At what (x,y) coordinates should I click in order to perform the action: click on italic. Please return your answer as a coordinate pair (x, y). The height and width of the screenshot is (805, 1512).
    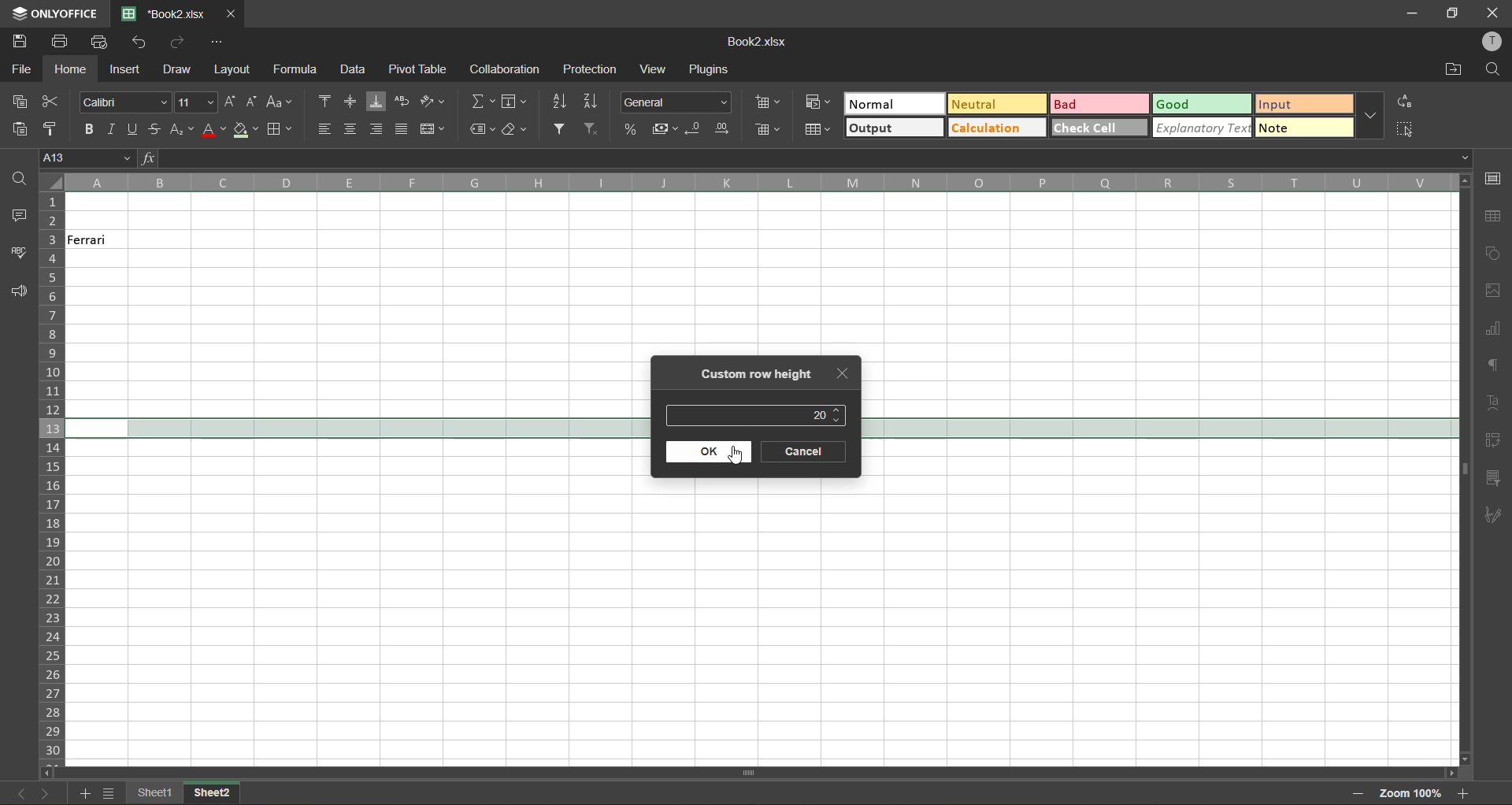
    Looking at the image, I should click on (112, 129).